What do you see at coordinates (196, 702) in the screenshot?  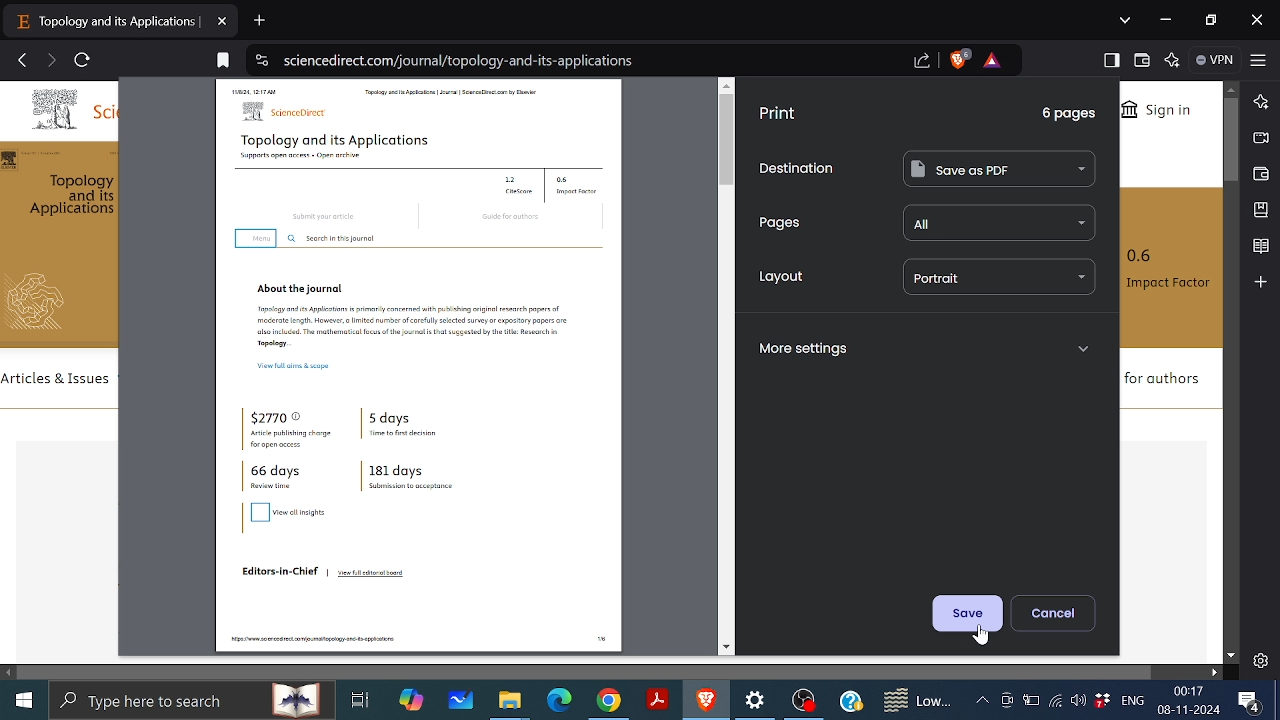 I see `search` at bounding box center [196, 702].